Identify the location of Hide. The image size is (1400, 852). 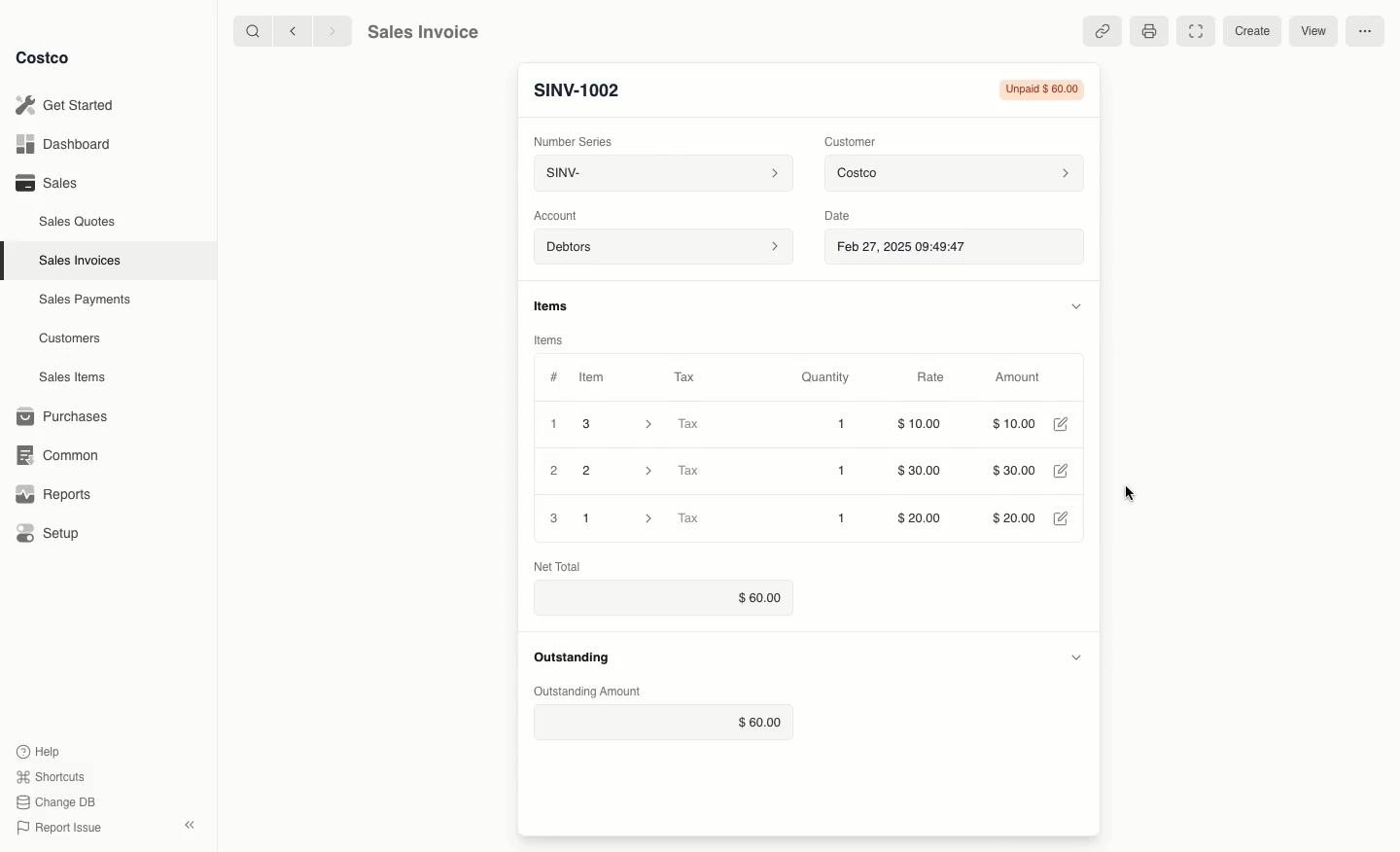
(1074, 304).